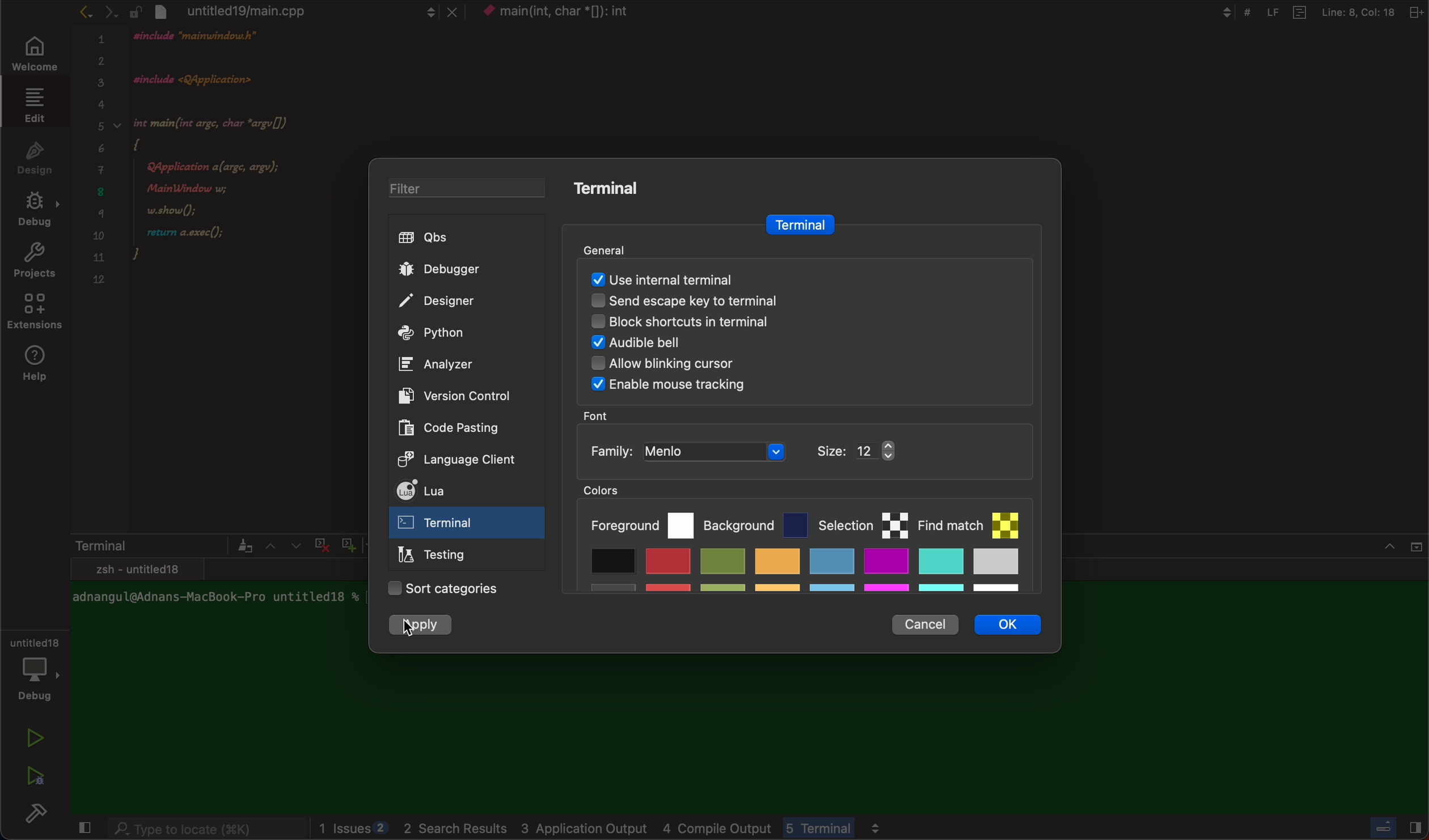 The image size is (1429, 840). I want to click on font famioly, so click(765, 452).